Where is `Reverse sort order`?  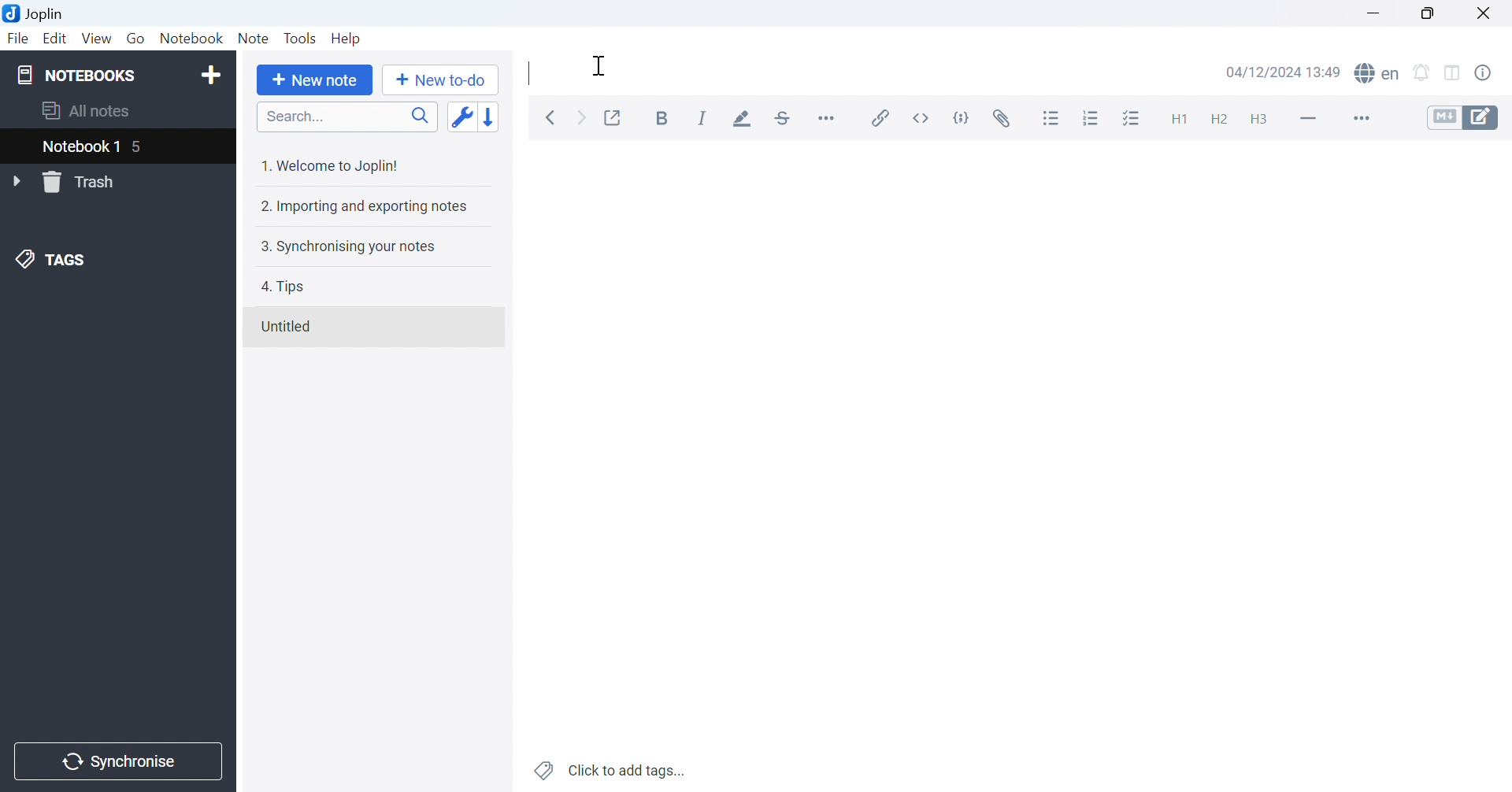
Reverse sort order is located at coordinates (491, 117).